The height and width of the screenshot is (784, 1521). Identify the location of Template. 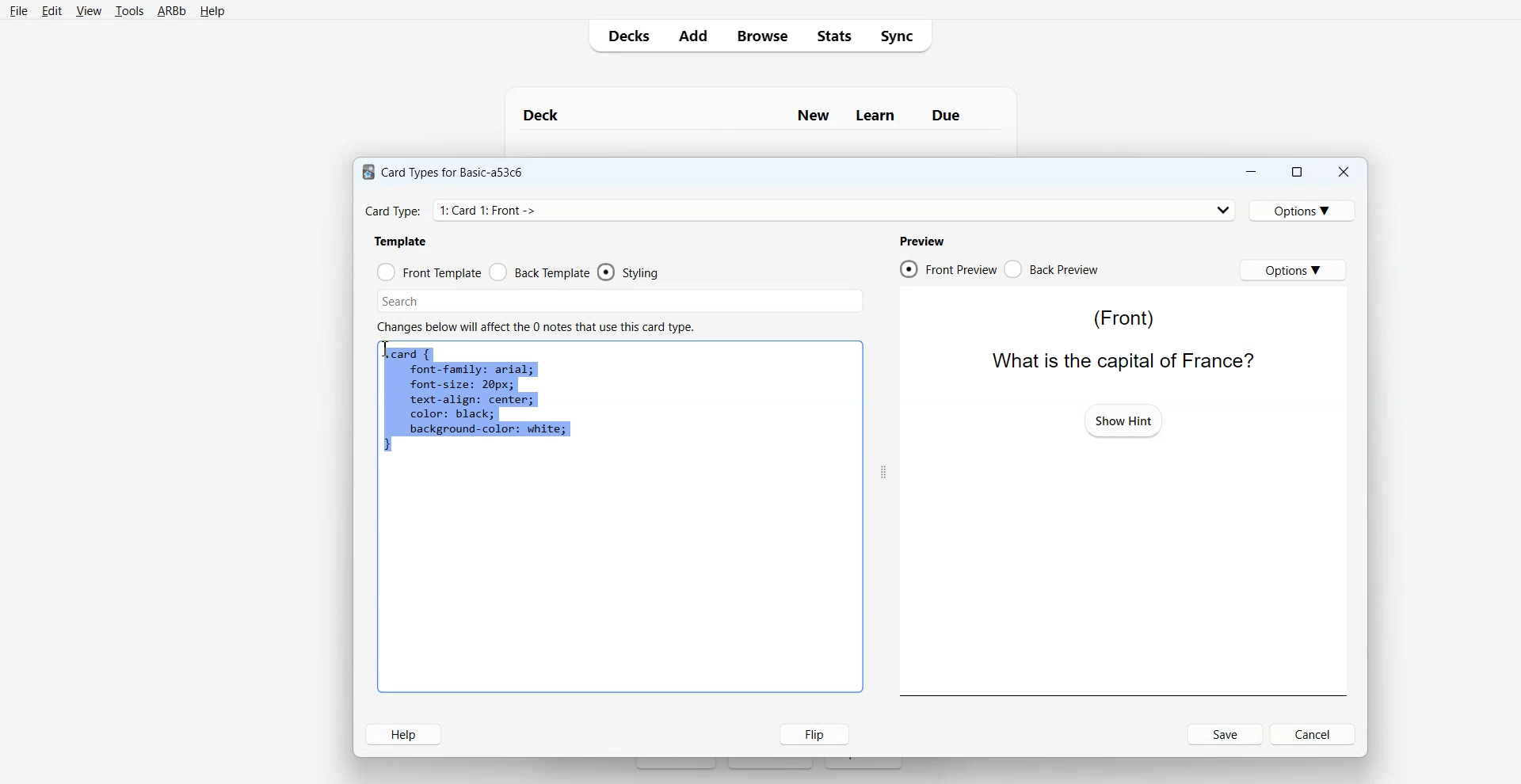
(402, 241).